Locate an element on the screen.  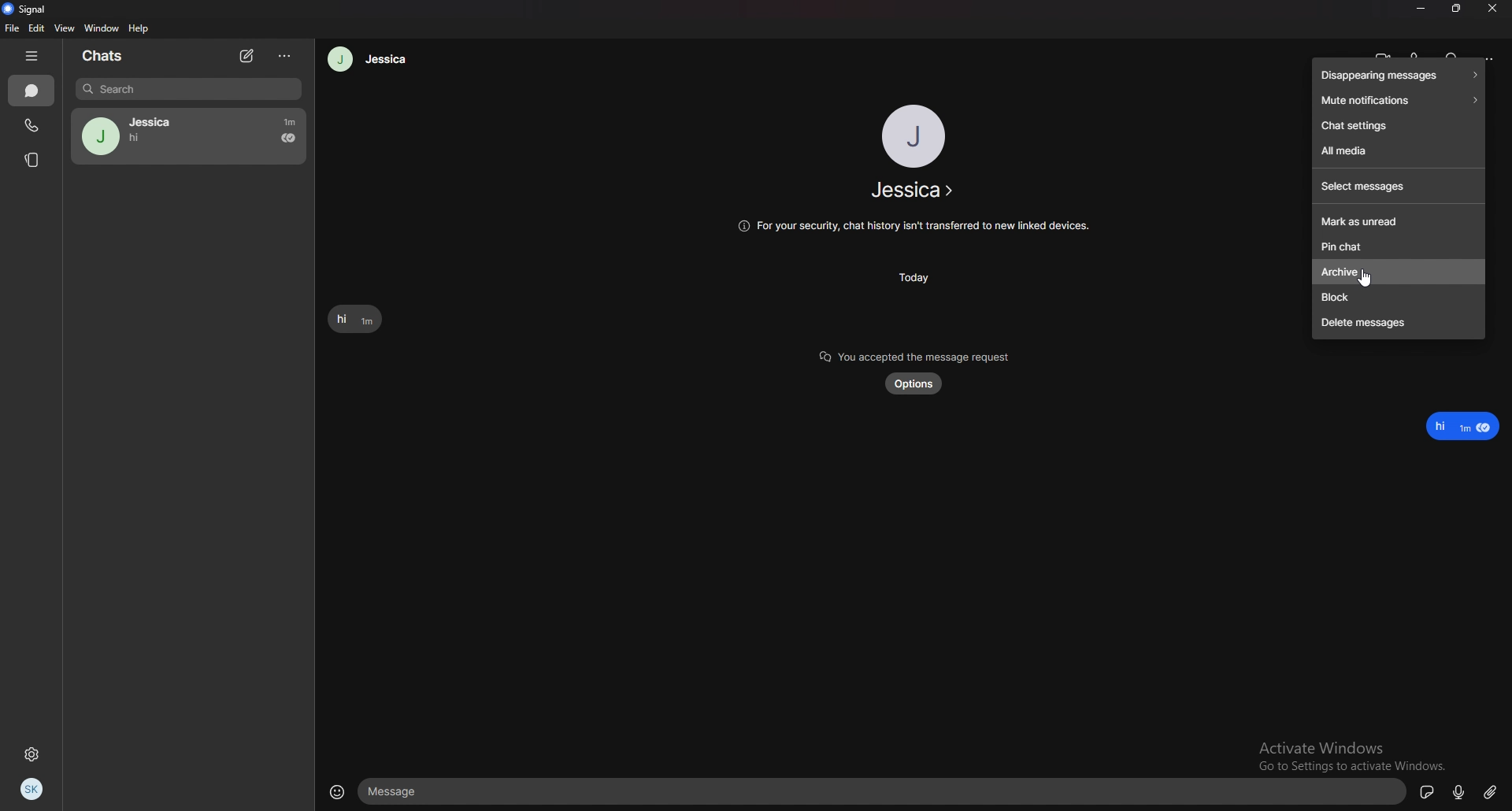
@ For your security, chat history isn't transferred to new linked devices. is located at coordinates (911, 224).